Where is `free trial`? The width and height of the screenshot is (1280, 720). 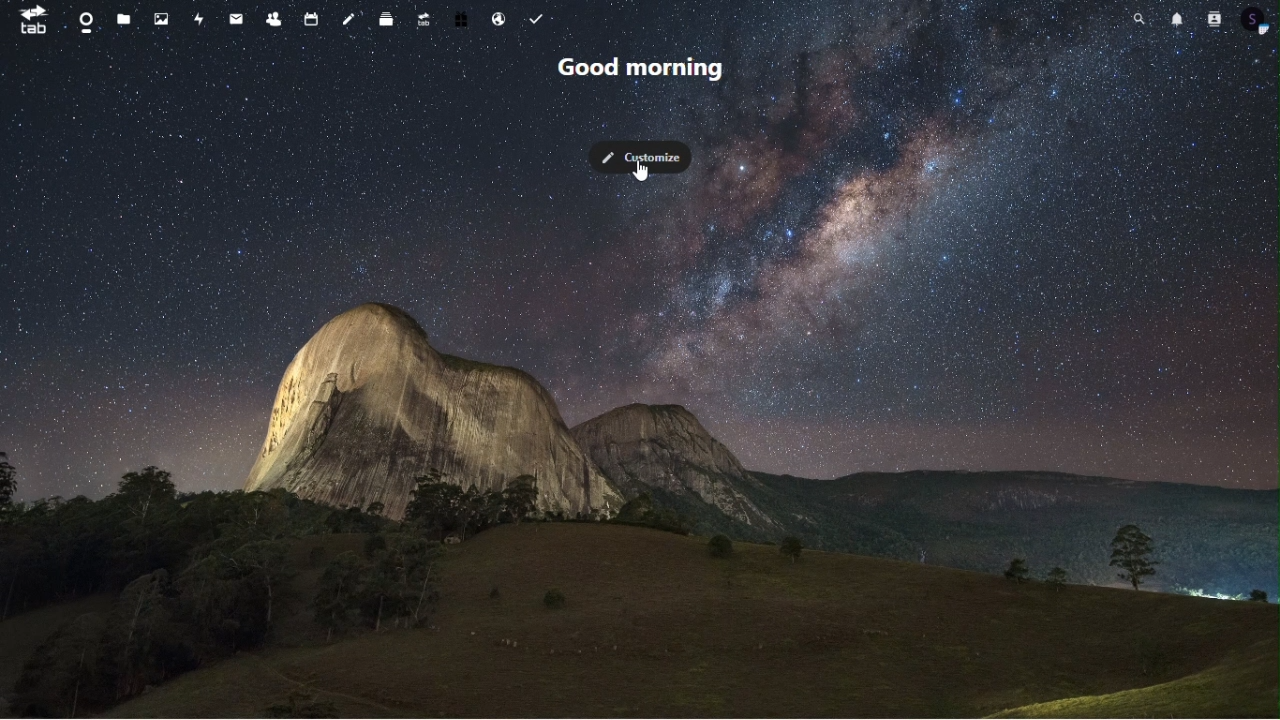 free trial is located at coordinates (462, 17).